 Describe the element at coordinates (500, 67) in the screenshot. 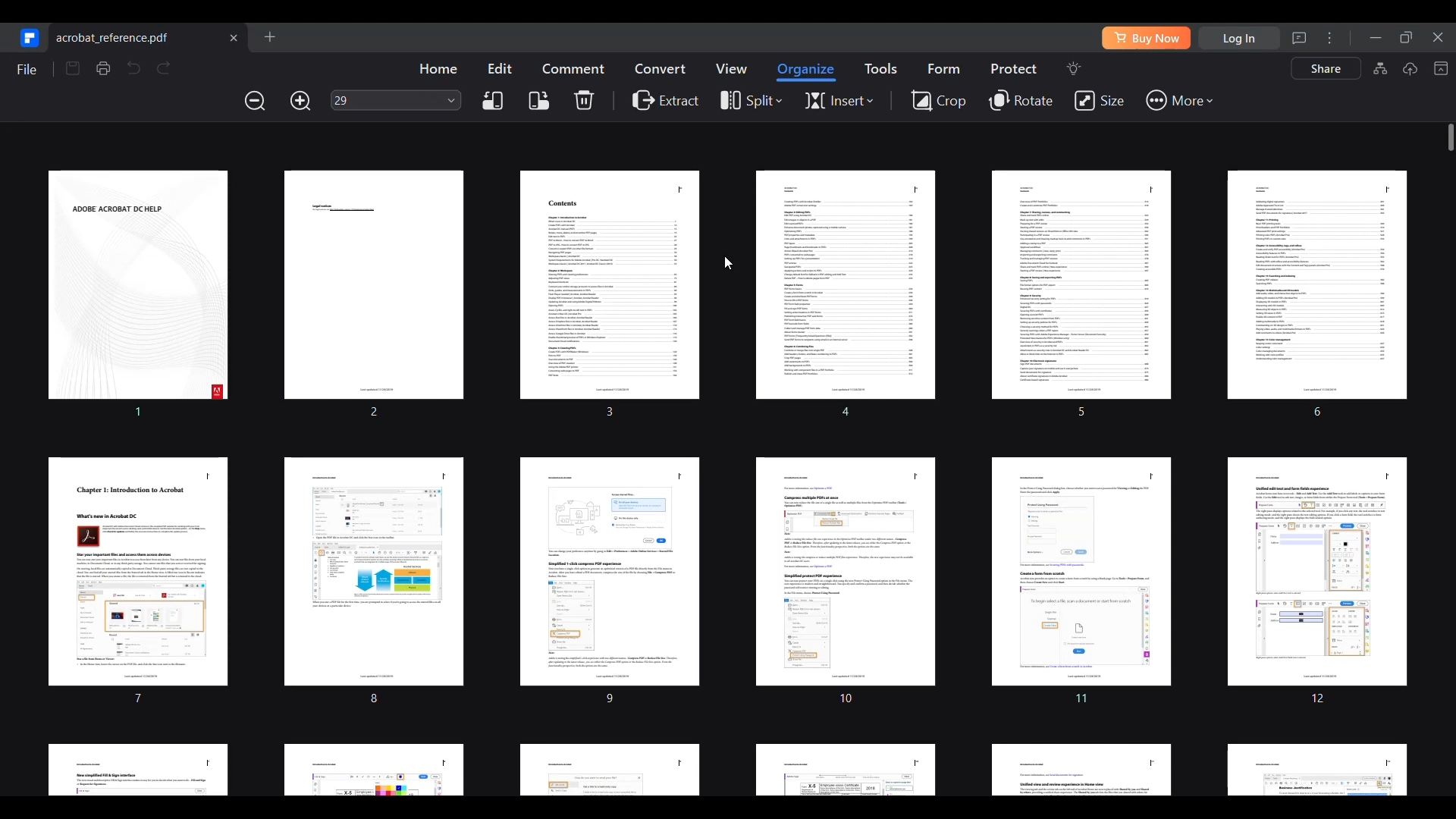

I see `Edit` at that location.